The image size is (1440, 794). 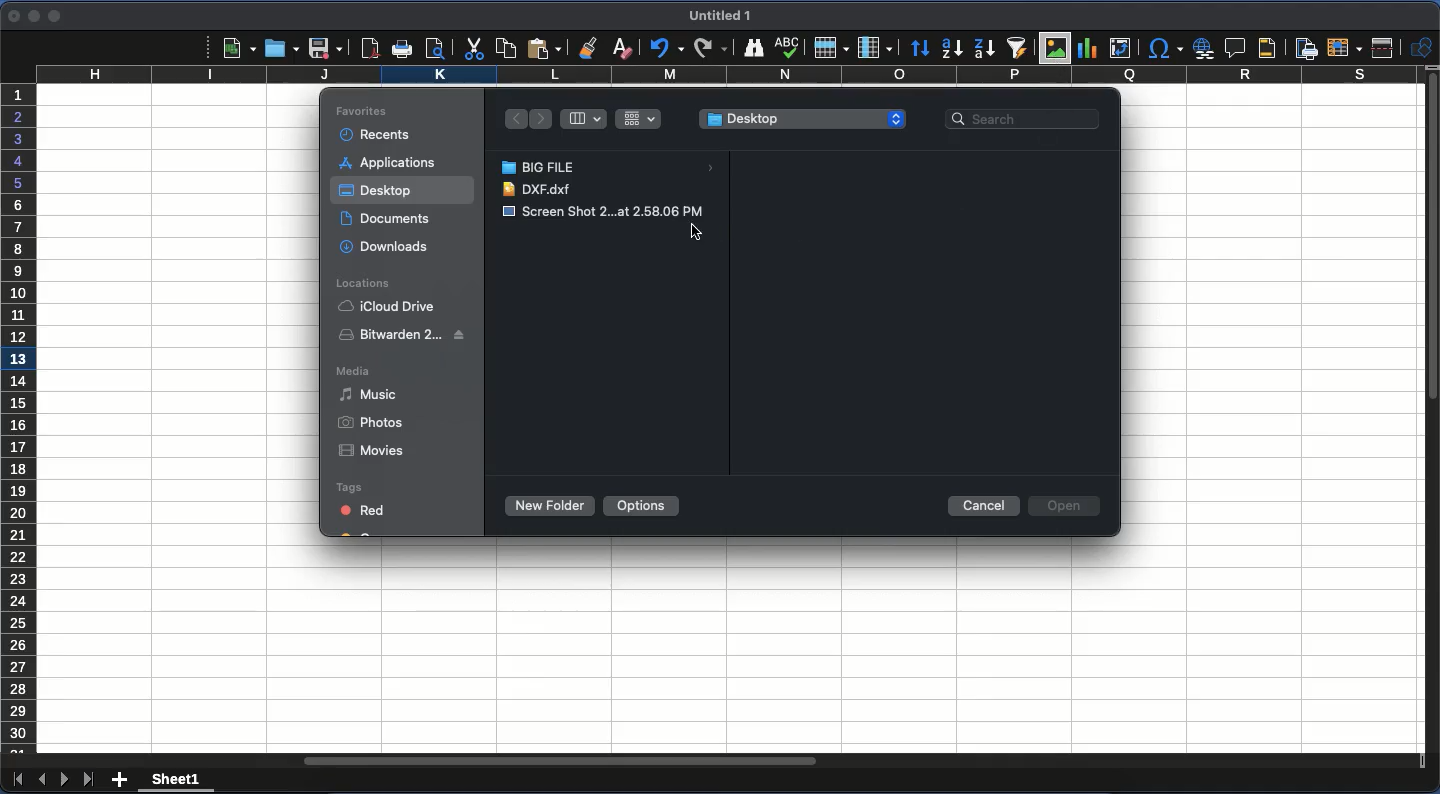 I want to click on ascending, so click(x=953, y=49).